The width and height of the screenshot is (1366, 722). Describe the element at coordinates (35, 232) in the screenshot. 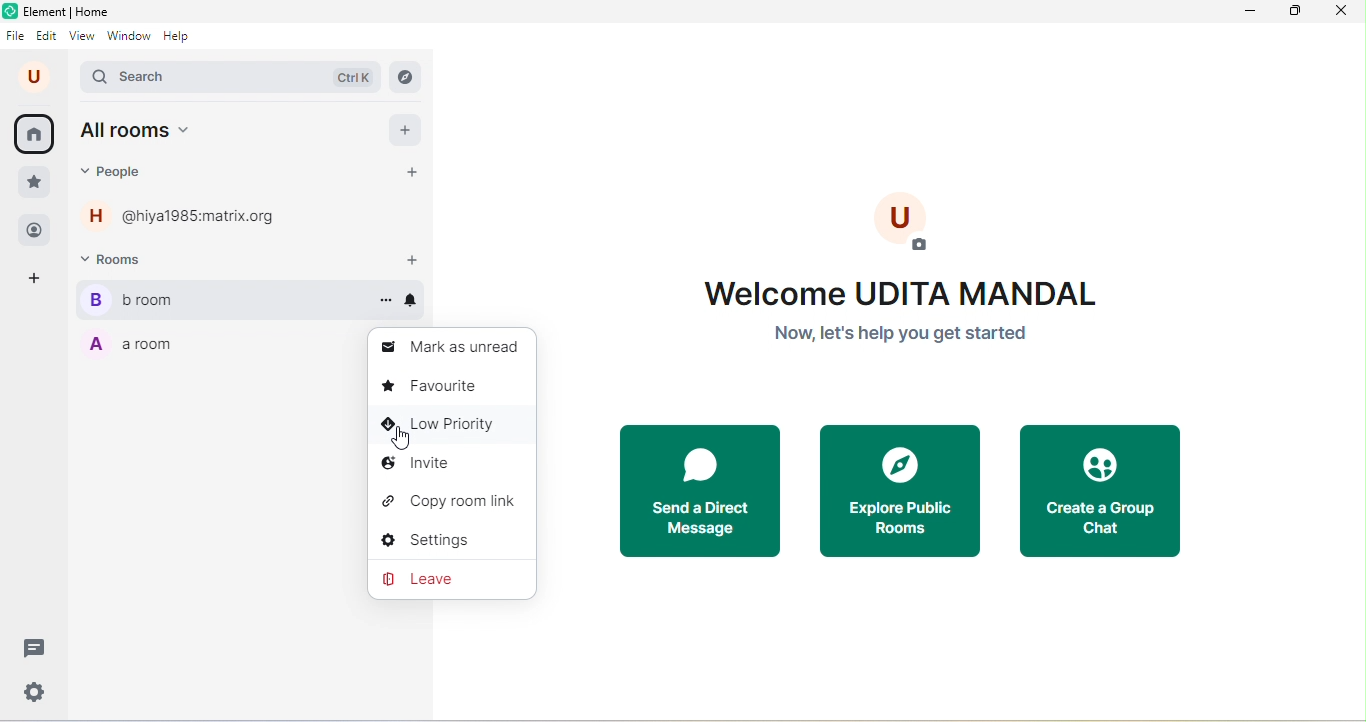

I see `people` at that location.